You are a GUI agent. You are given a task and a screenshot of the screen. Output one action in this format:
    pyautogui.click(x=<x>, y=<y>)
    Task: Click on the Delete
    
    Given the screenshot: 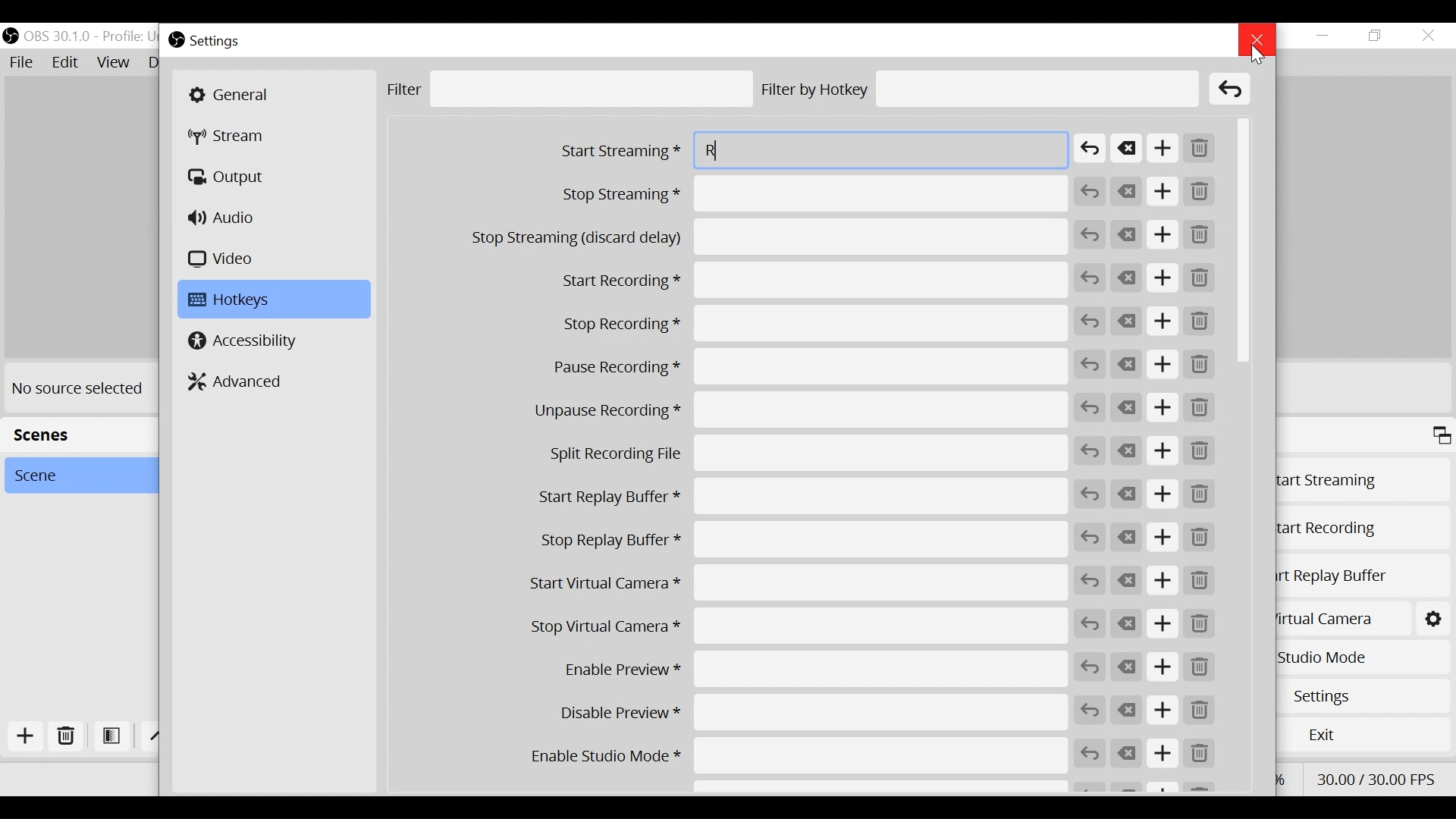 What is the action you would take?
    pyautogui.click(x=67, y=737)
    